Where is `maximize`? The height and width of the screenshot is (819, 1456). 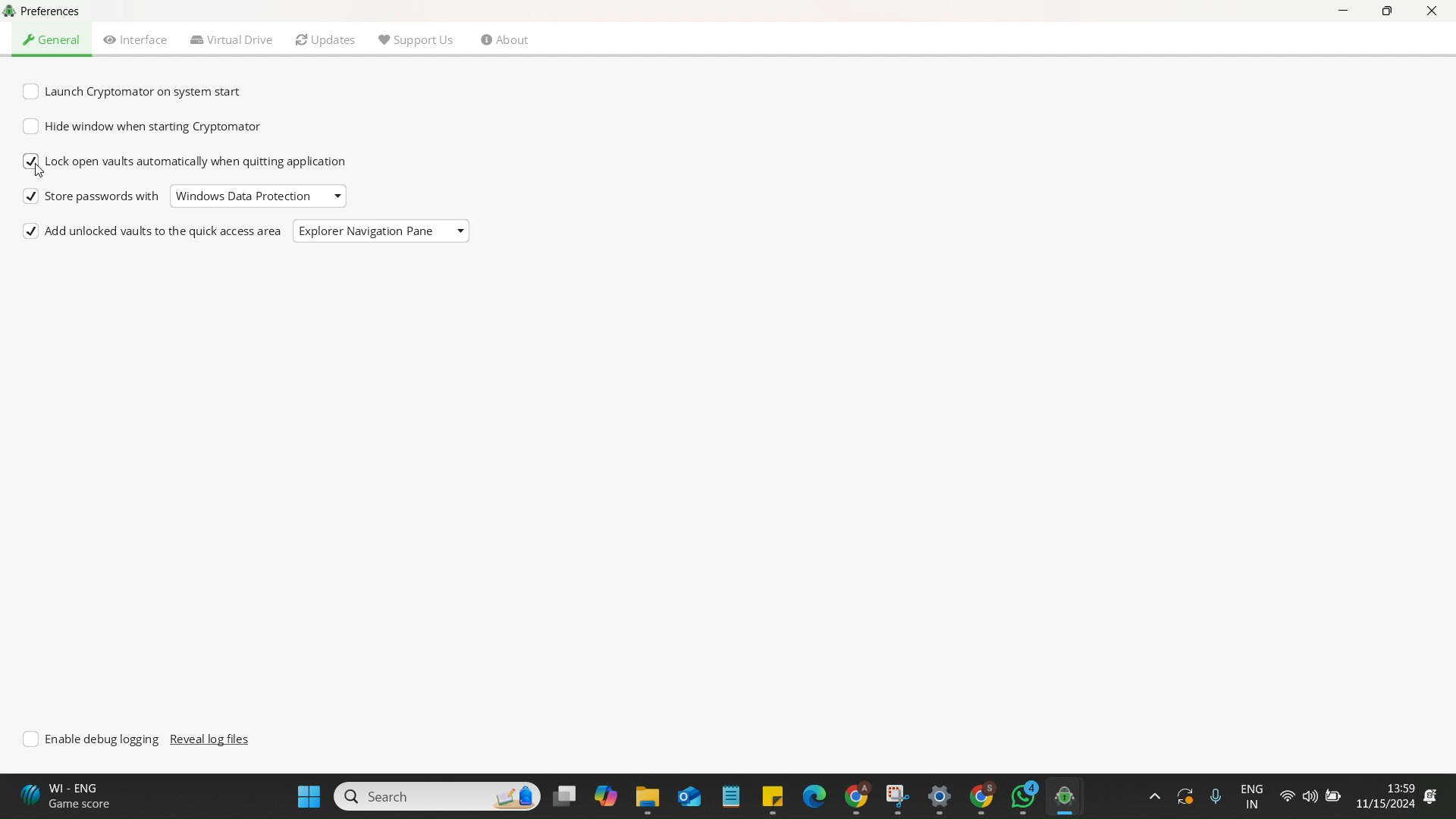
maximize is located at coordinates (1387, 13).